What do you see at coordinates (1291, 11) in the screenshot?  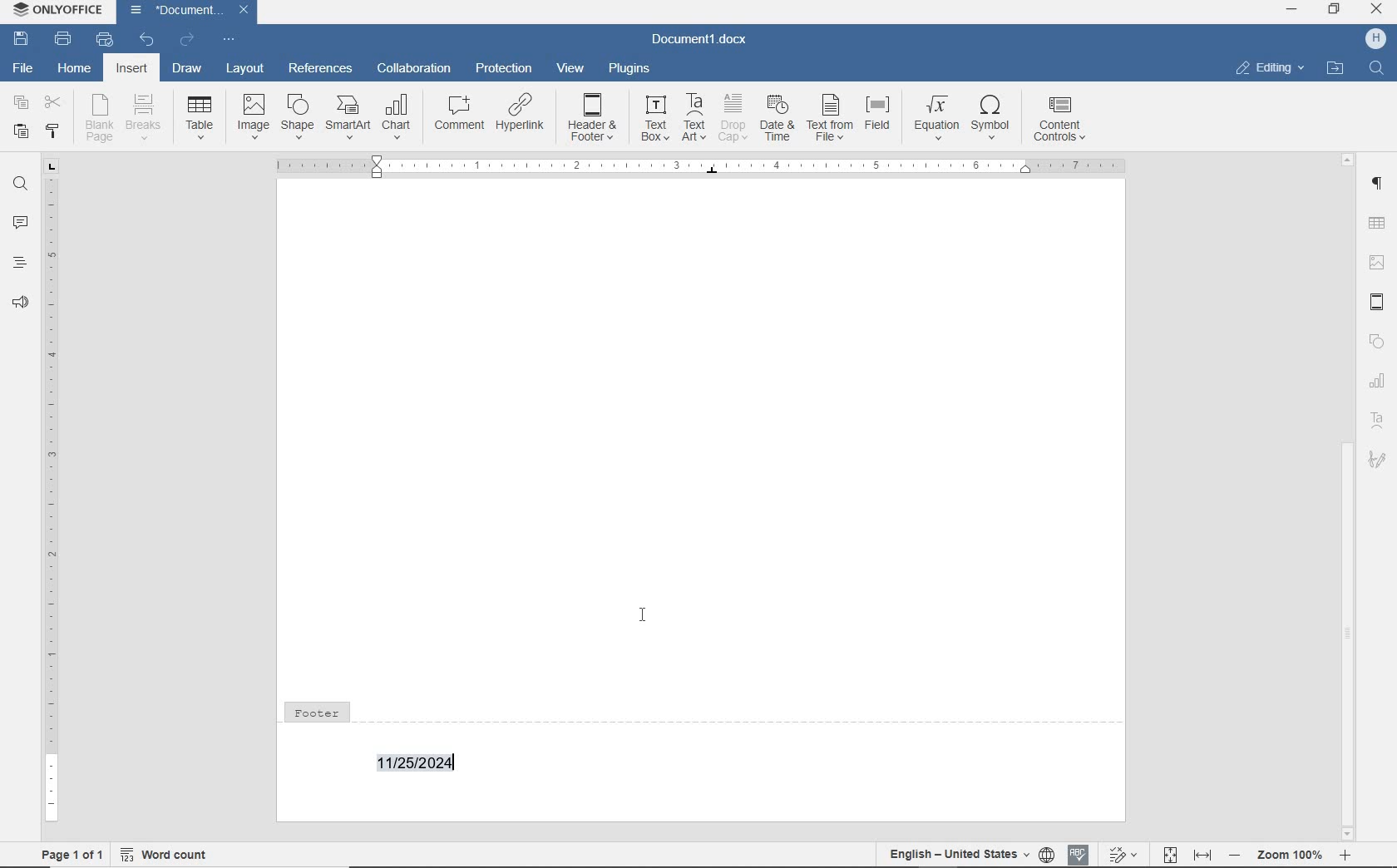 I see `minimize` at bounding box center [1291, 11].